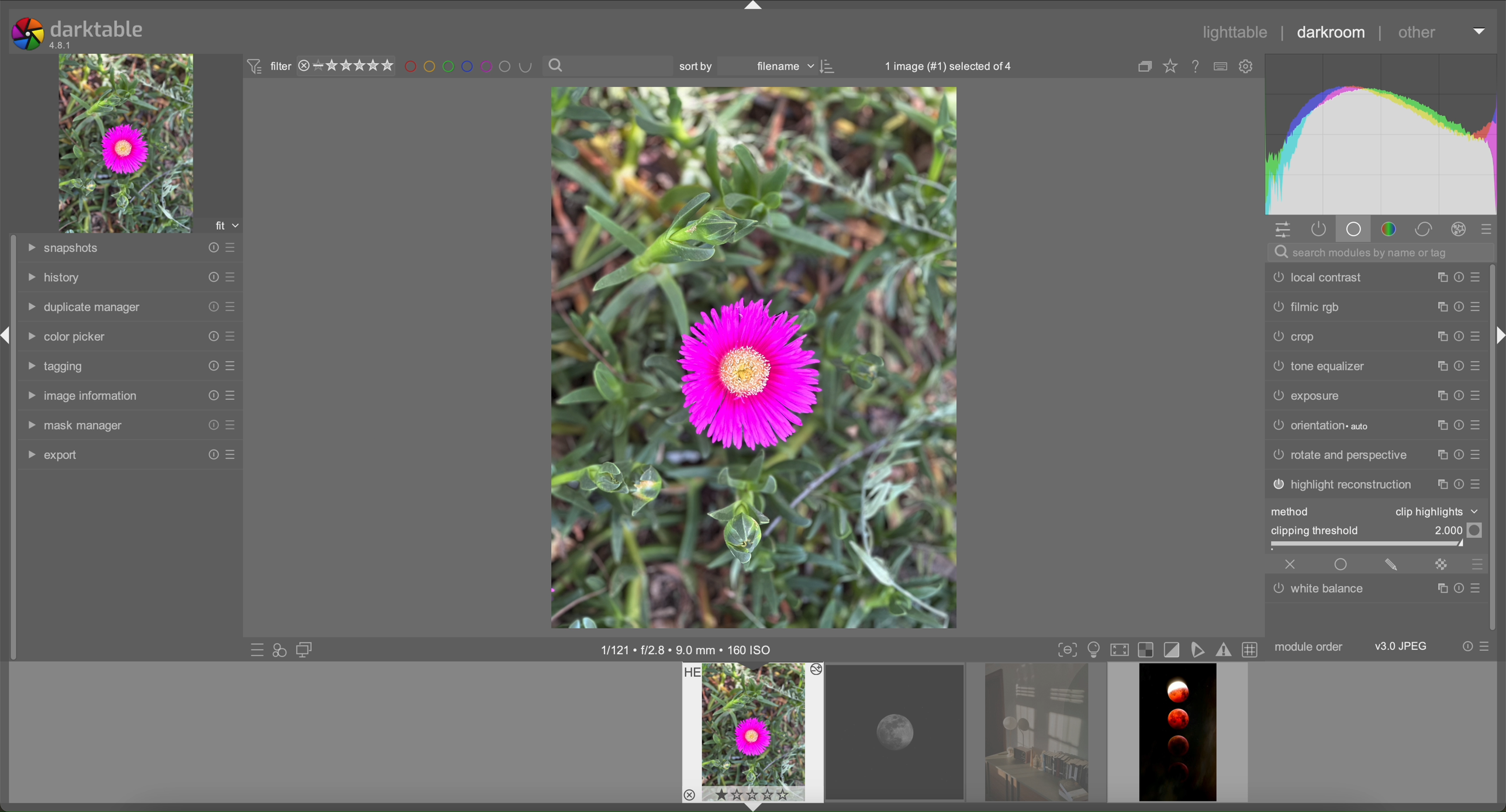 This screenshot has width=1506, height=812. What do you see at coordinates (1456, 278) in the screenshot?
I see `reset presets` at bounding box center [1456, 278].